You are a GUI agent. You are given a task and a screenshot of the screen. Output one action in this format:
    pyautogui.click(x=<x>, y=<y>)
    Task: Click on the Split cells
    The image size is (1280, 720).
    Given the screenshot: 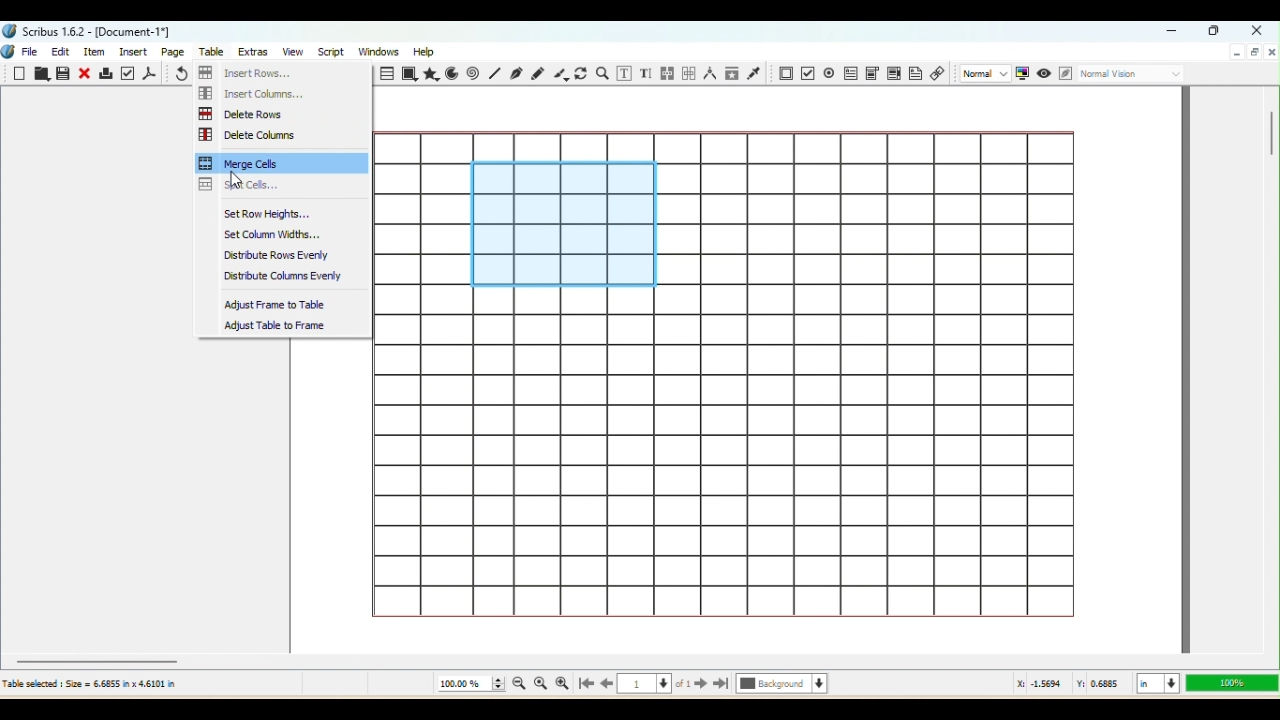 What is the action you would take?
    pyautogui.click(x=245, y=184)
    